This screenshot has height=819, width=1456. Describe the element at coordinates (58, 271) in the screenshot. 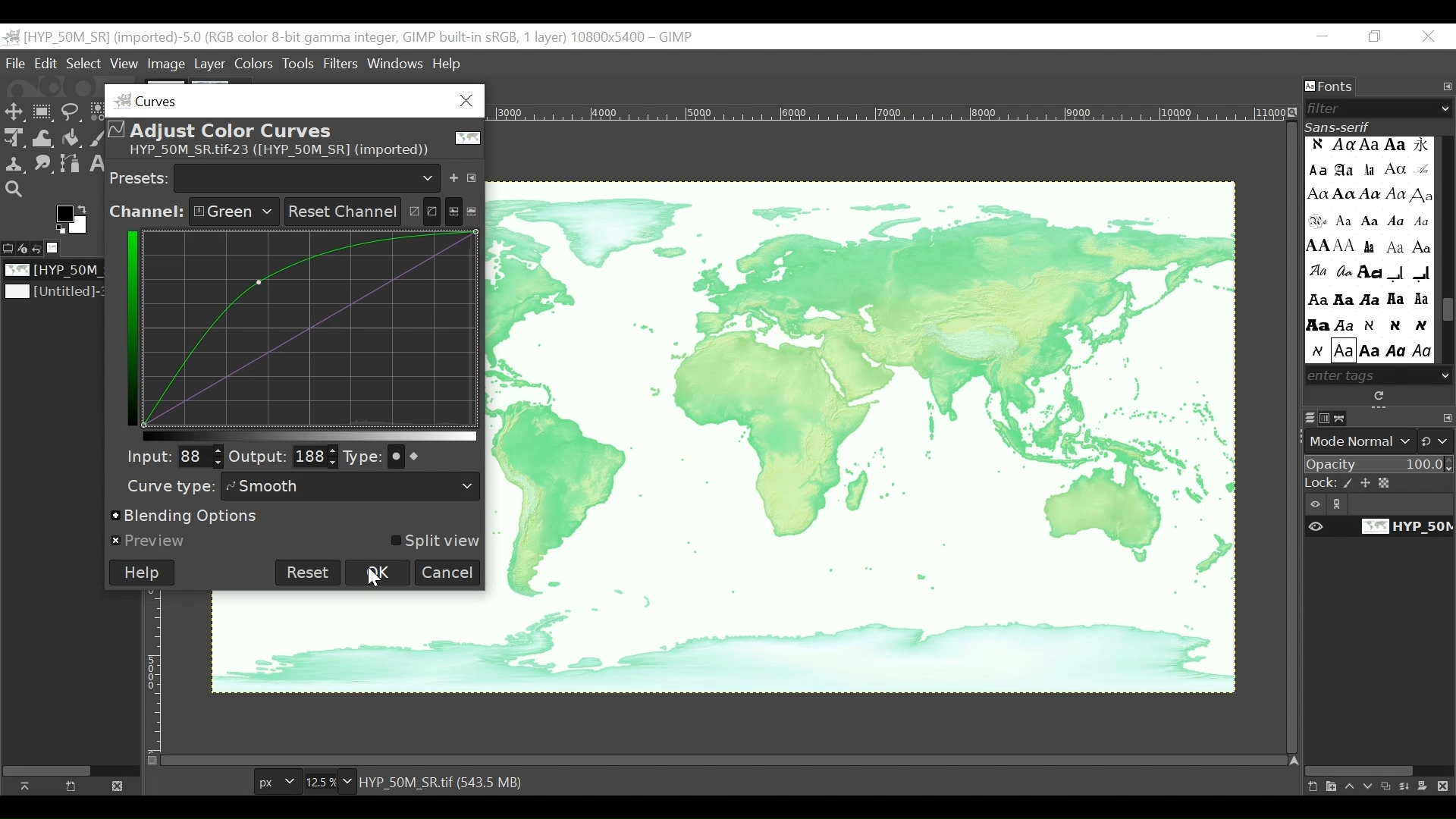

I see `Image` at that location.